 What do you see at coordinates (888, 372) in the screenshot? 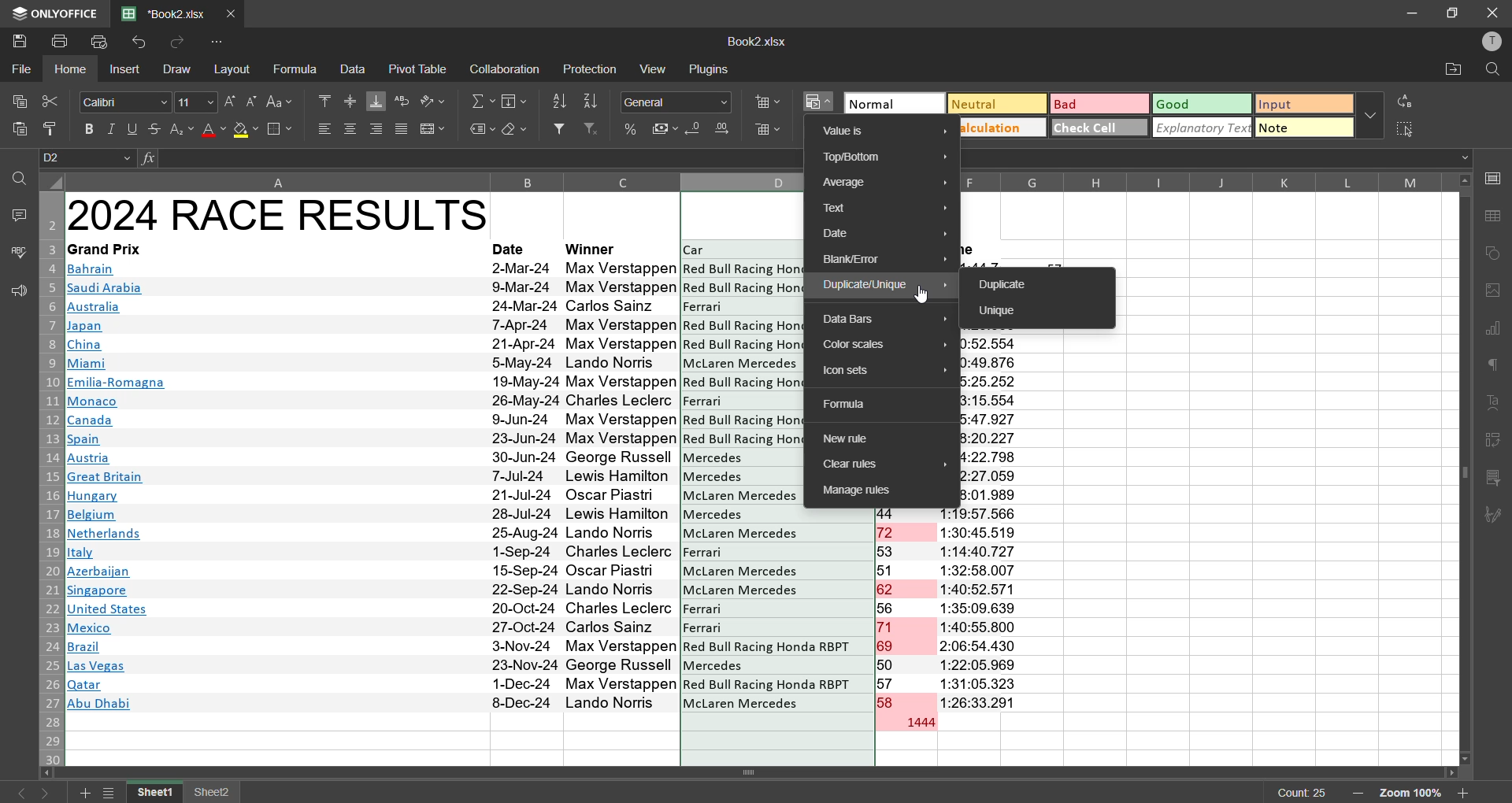
I see `icon sets` at bounding box center [888, 372].